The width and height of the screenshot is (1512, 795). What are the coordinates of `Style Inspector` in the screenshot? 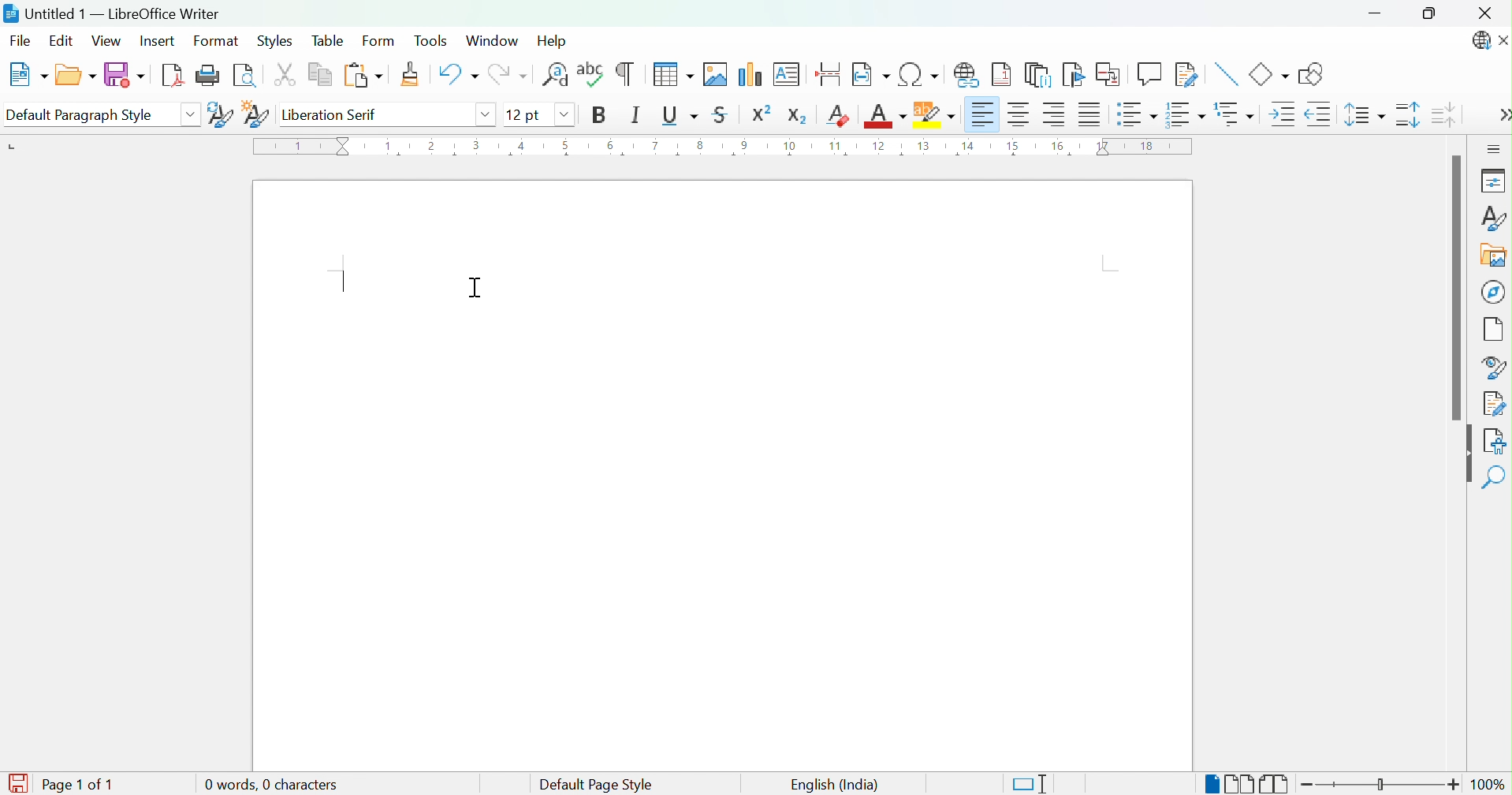 It's located at (1494, 366).